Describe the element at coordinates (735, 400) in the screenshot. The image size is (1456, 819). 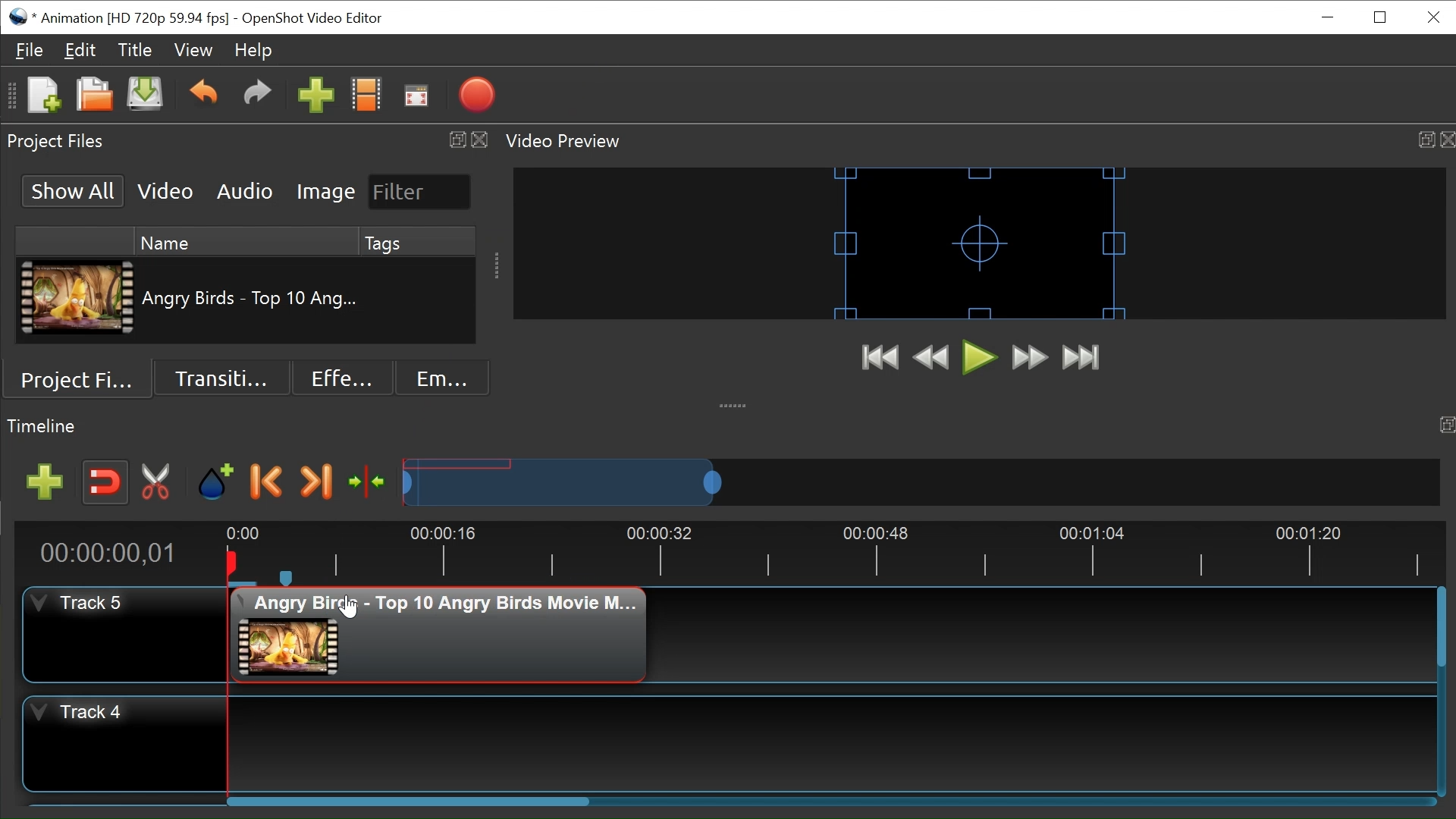
I see `collapse` at that location.